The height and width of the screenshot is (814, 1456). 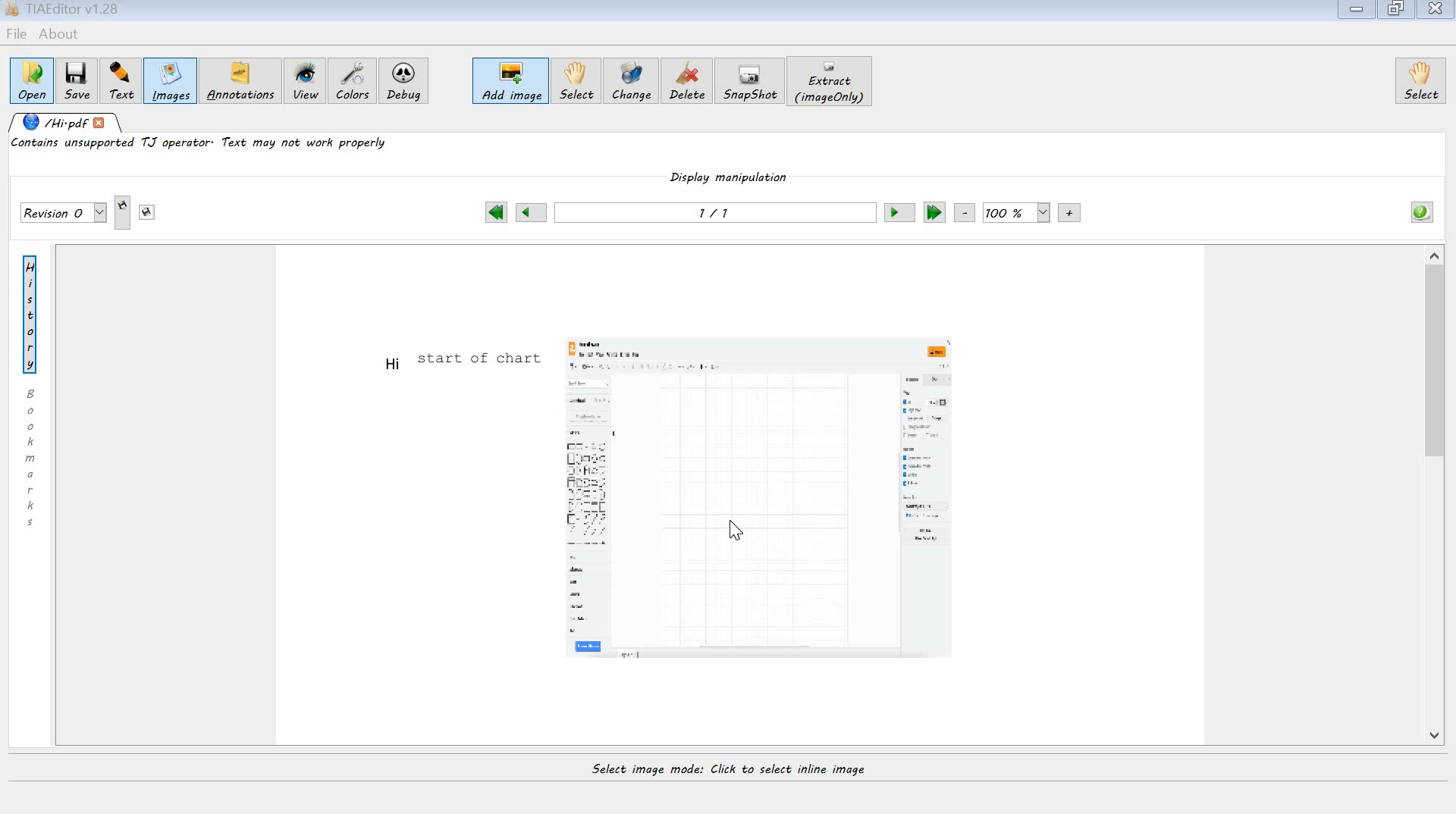 What do you see at coordinates (1420, 80) in the screenshot?
I see `select` at bounding box center [1420, 80].